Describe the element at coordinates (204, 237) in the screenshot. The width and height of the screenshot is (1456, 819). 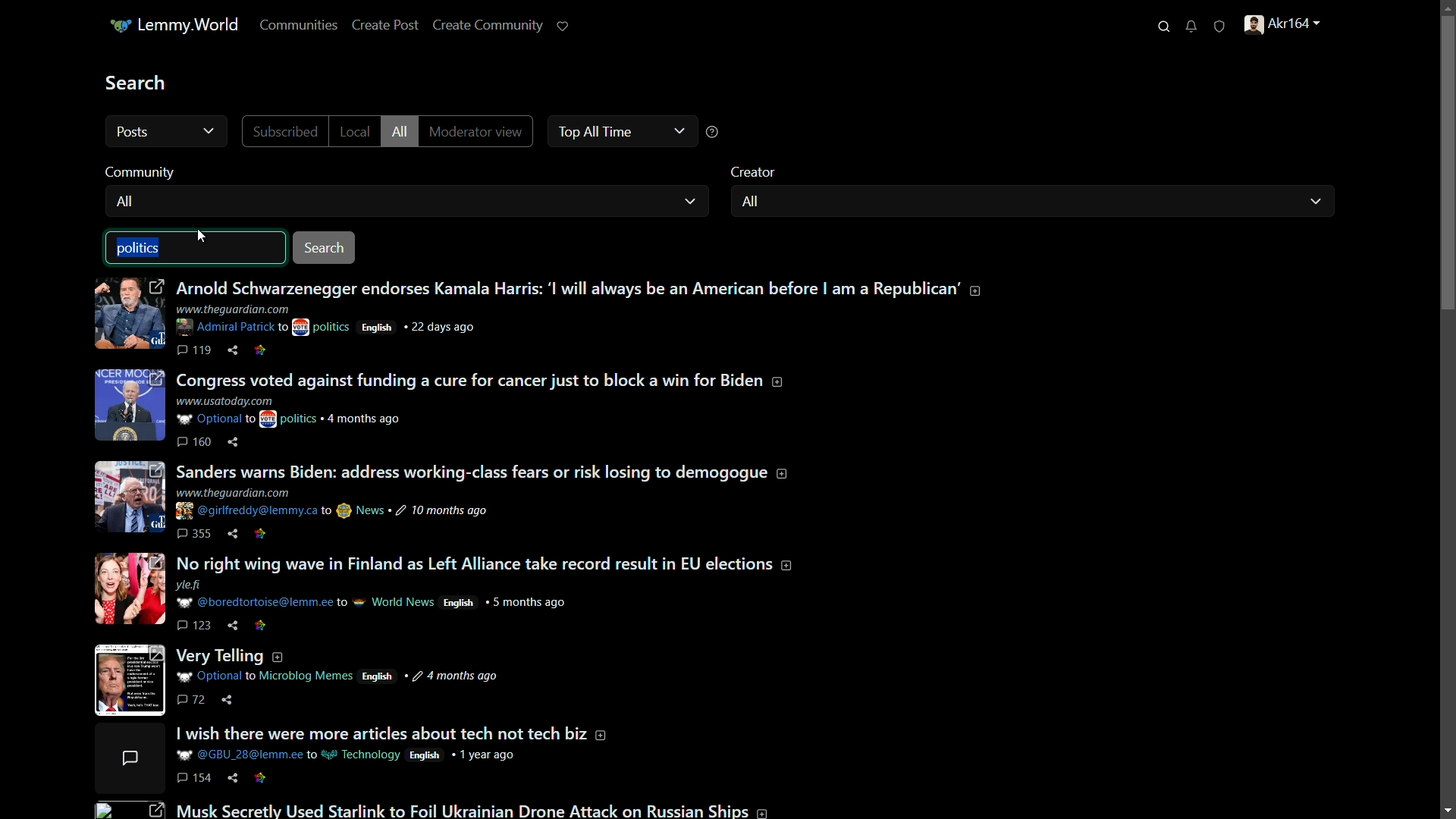
I see `cursor` at that location.